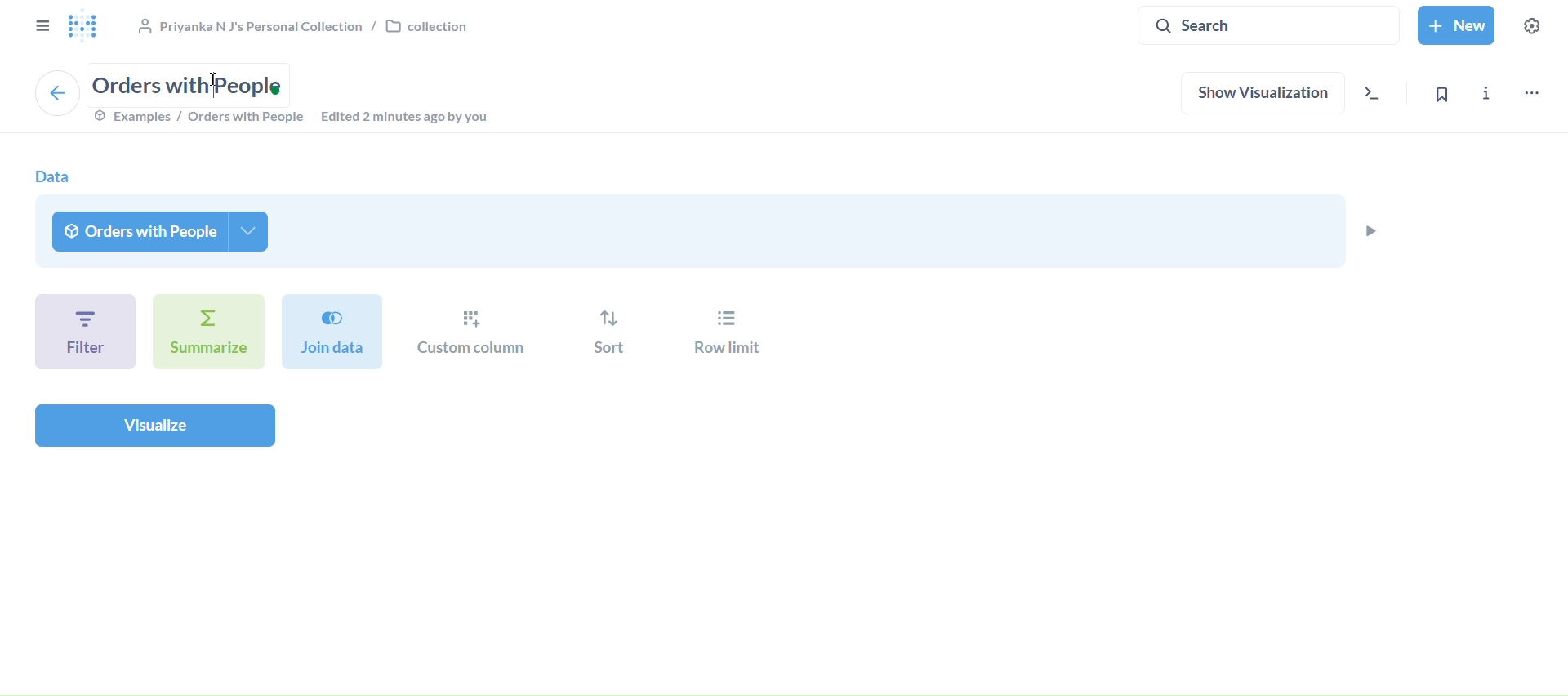  What do you see at coordinates (333, 330) in the screenshot?
I see `join data` at bounding box center [333, 330].